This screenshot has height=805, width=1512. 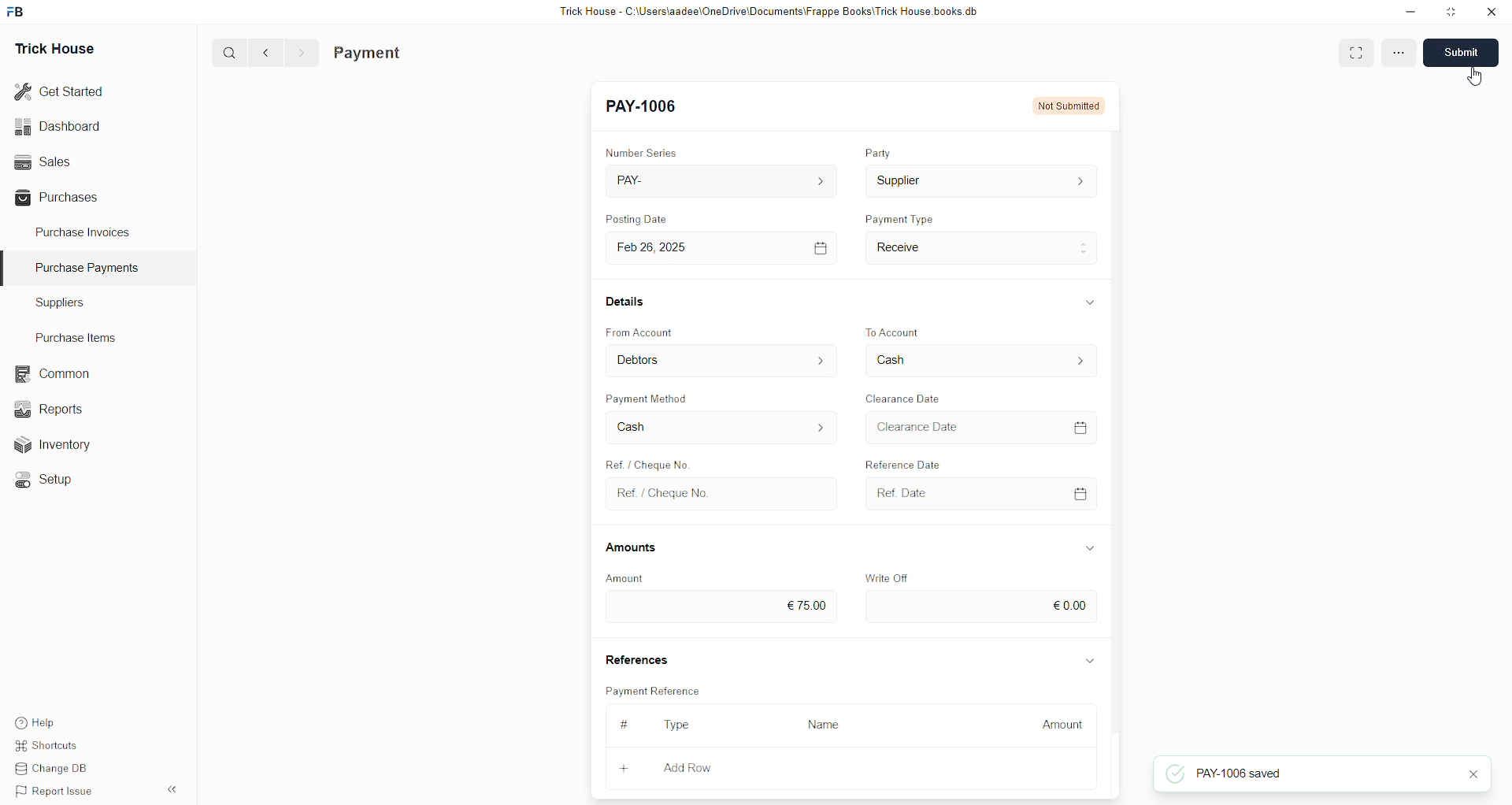 I want to click on Cash, so click(x=719, y=429).